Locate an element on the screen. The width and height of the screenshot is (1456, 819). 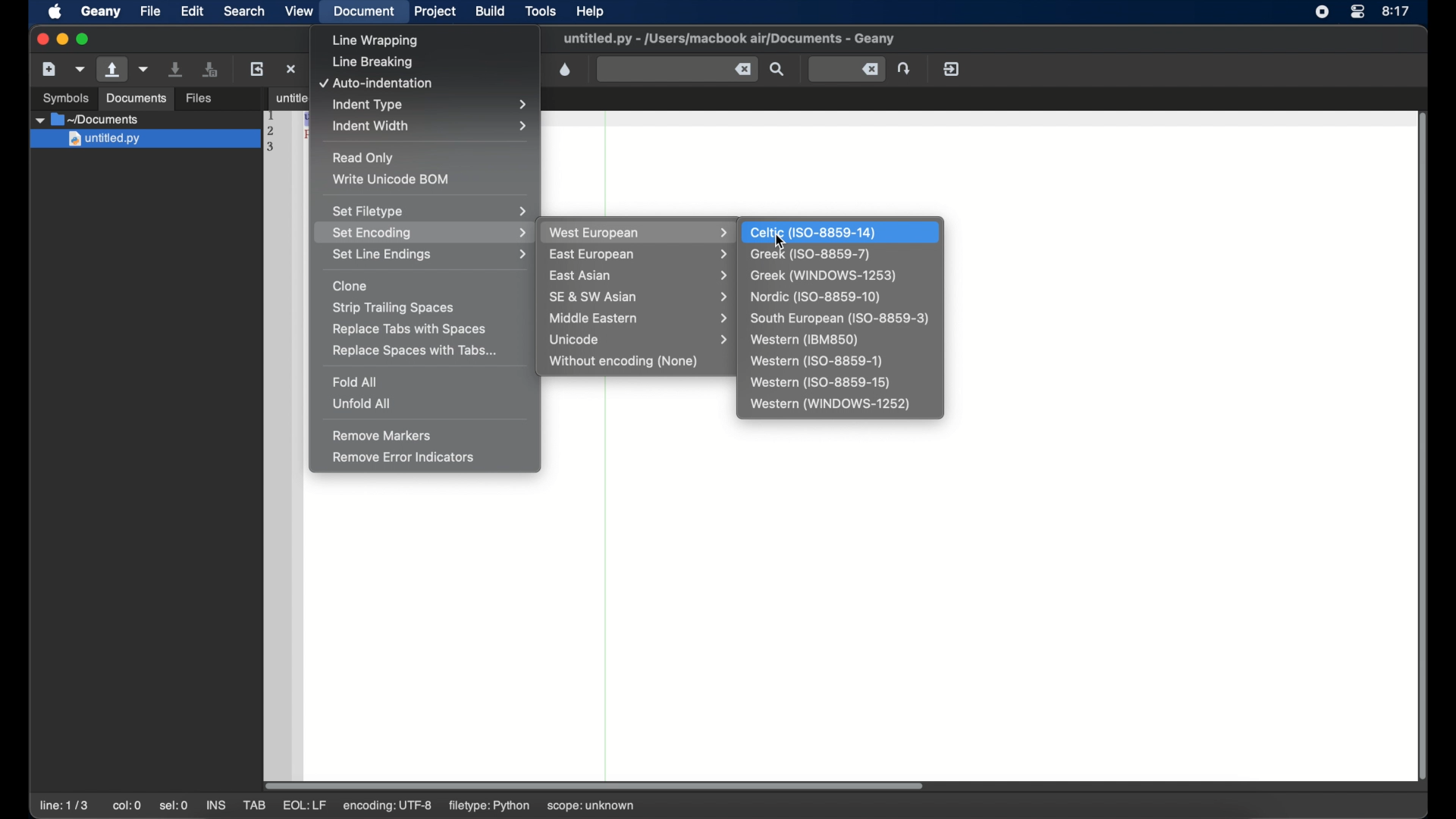
replace spaces with tabs is located at coordinates (416, 351).